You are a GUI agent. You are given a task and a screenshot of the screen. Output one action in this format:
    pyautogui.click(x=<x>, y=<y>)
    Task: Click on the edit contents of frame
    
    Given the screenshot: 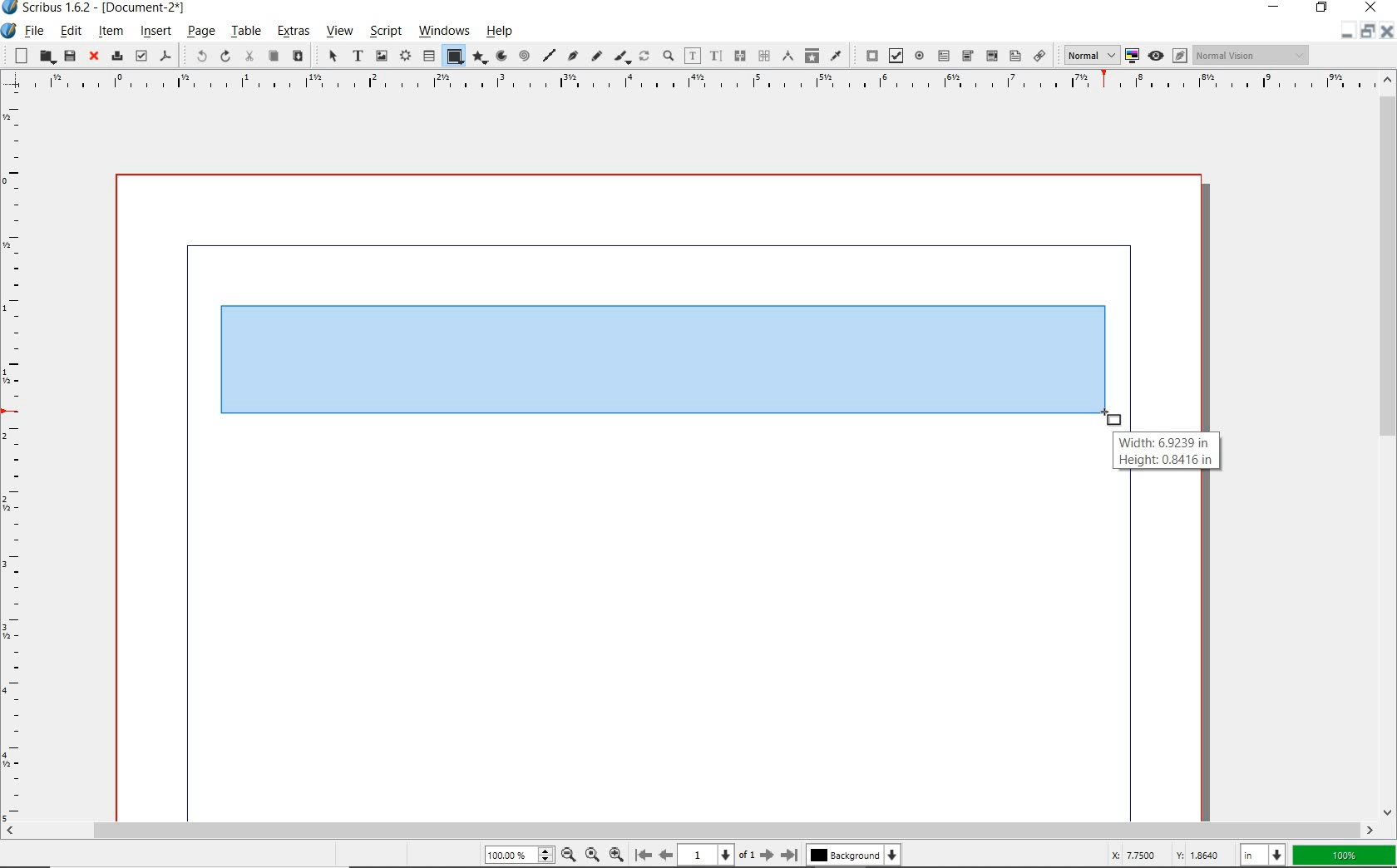 What is the action you would take?
    pyautogui.click(x=692, y=56)
    